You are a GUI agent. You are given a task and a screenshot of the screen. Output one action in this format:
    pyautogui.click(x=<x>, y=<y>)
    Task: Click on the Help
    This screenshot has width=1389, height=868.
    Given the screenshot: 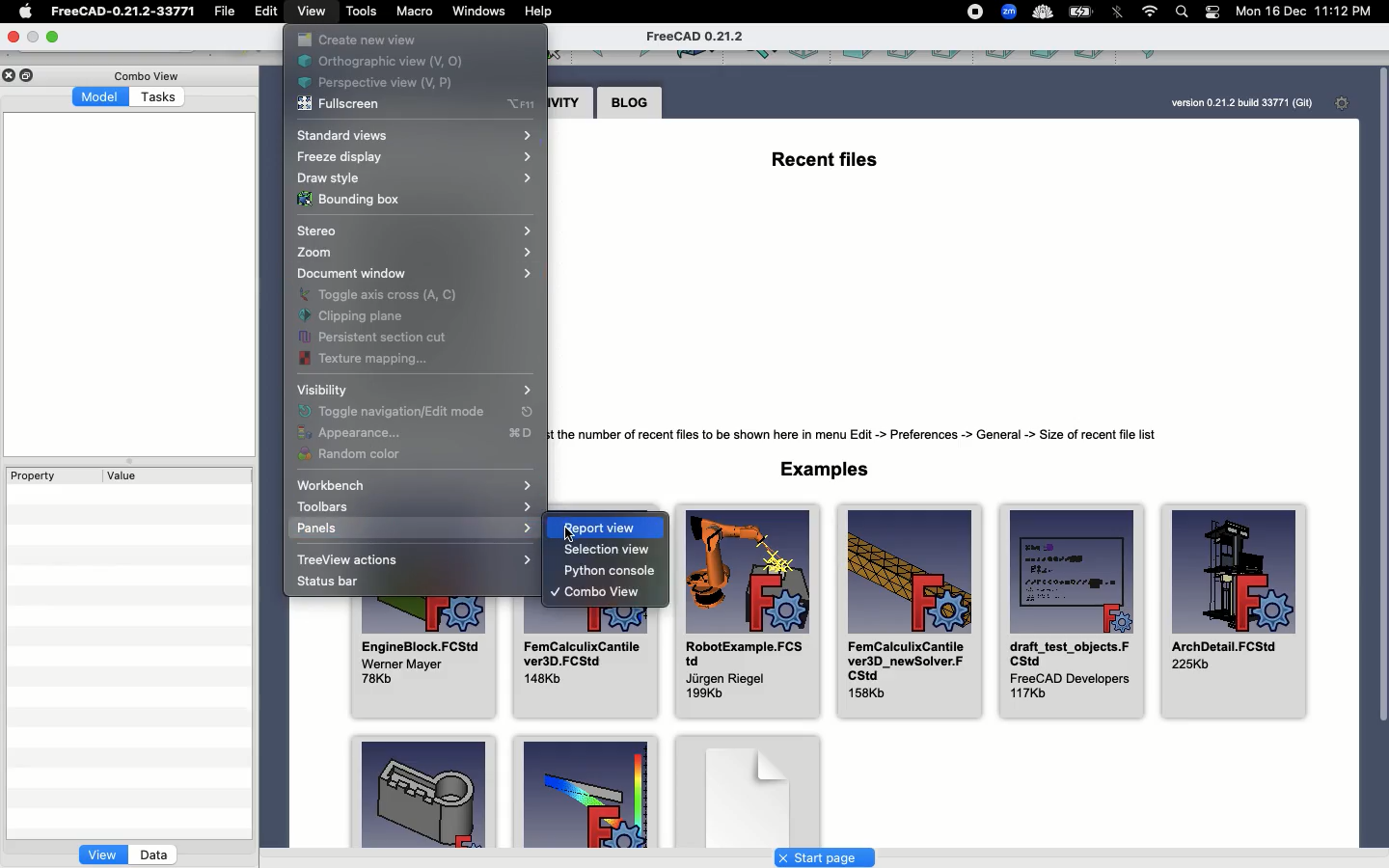 What is the action you would take?
    pyautogui.click(x=541, y=10)
    